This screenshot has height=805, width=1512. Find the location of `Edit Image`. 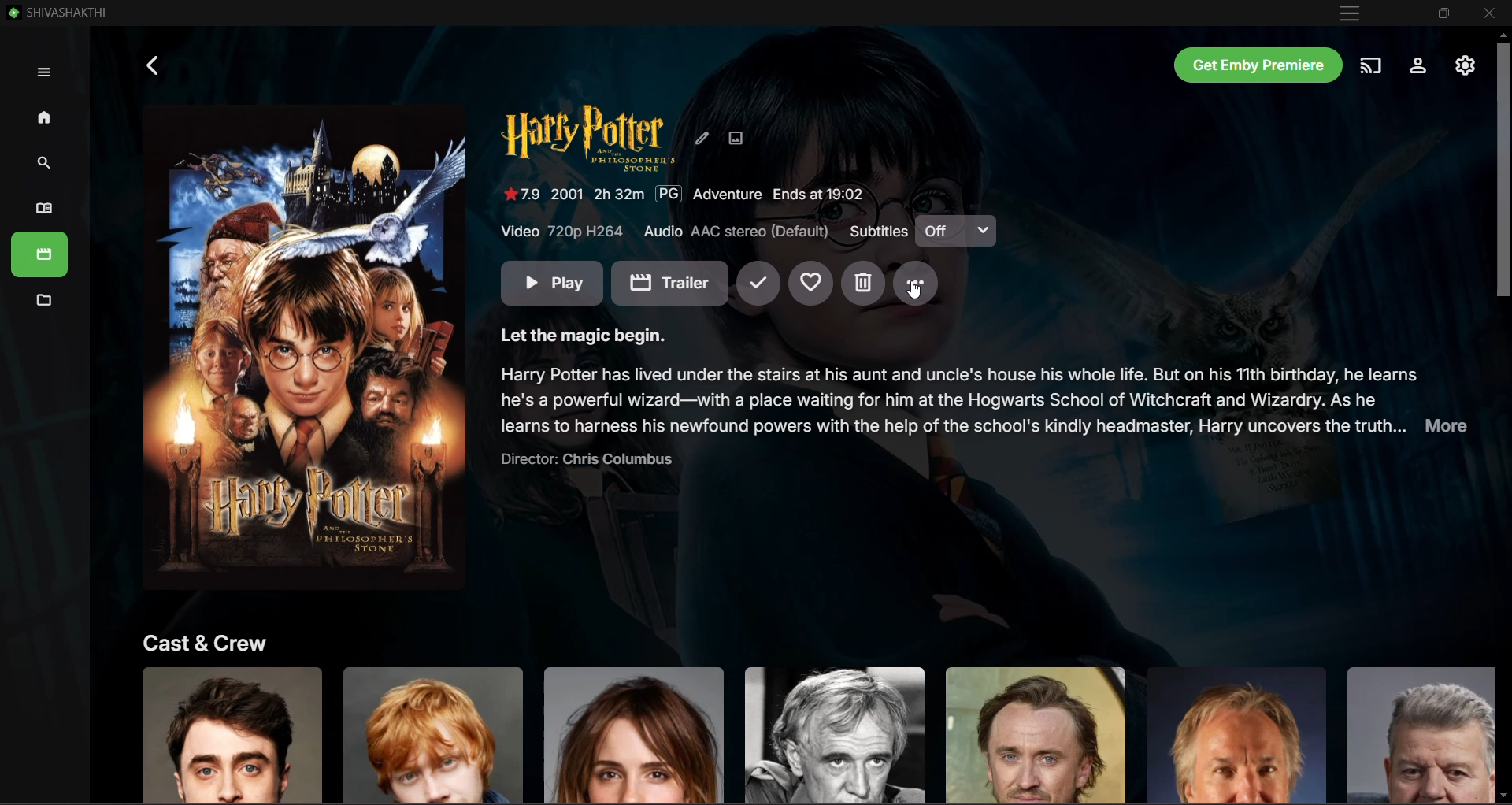

Edit Image is located at coordinates (736, 137).